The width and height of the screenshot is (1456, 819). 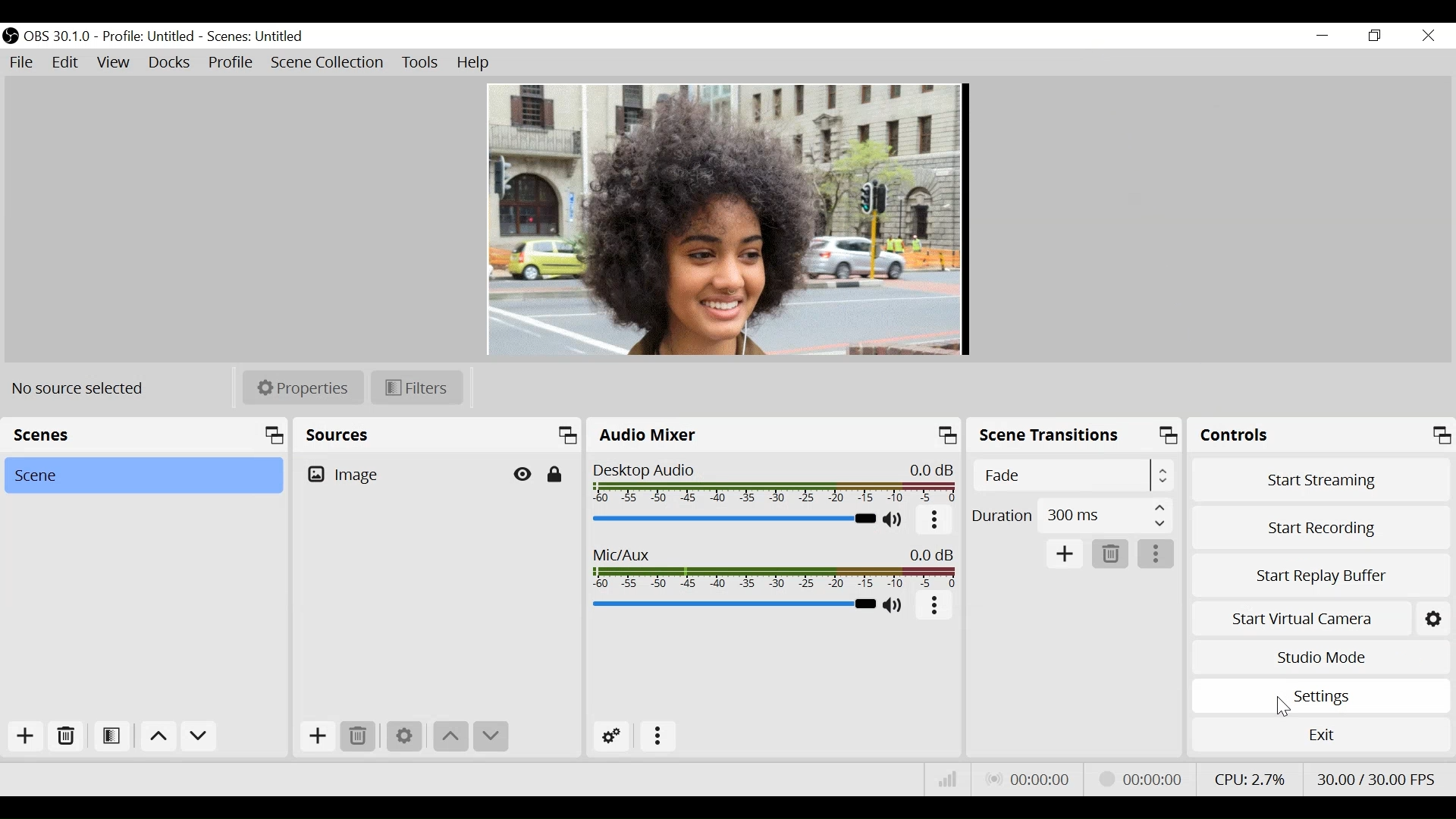 What do you see at coordinates (1428, 35) in the screenshot?
I see `Close` at bounding box center [1428, 35].